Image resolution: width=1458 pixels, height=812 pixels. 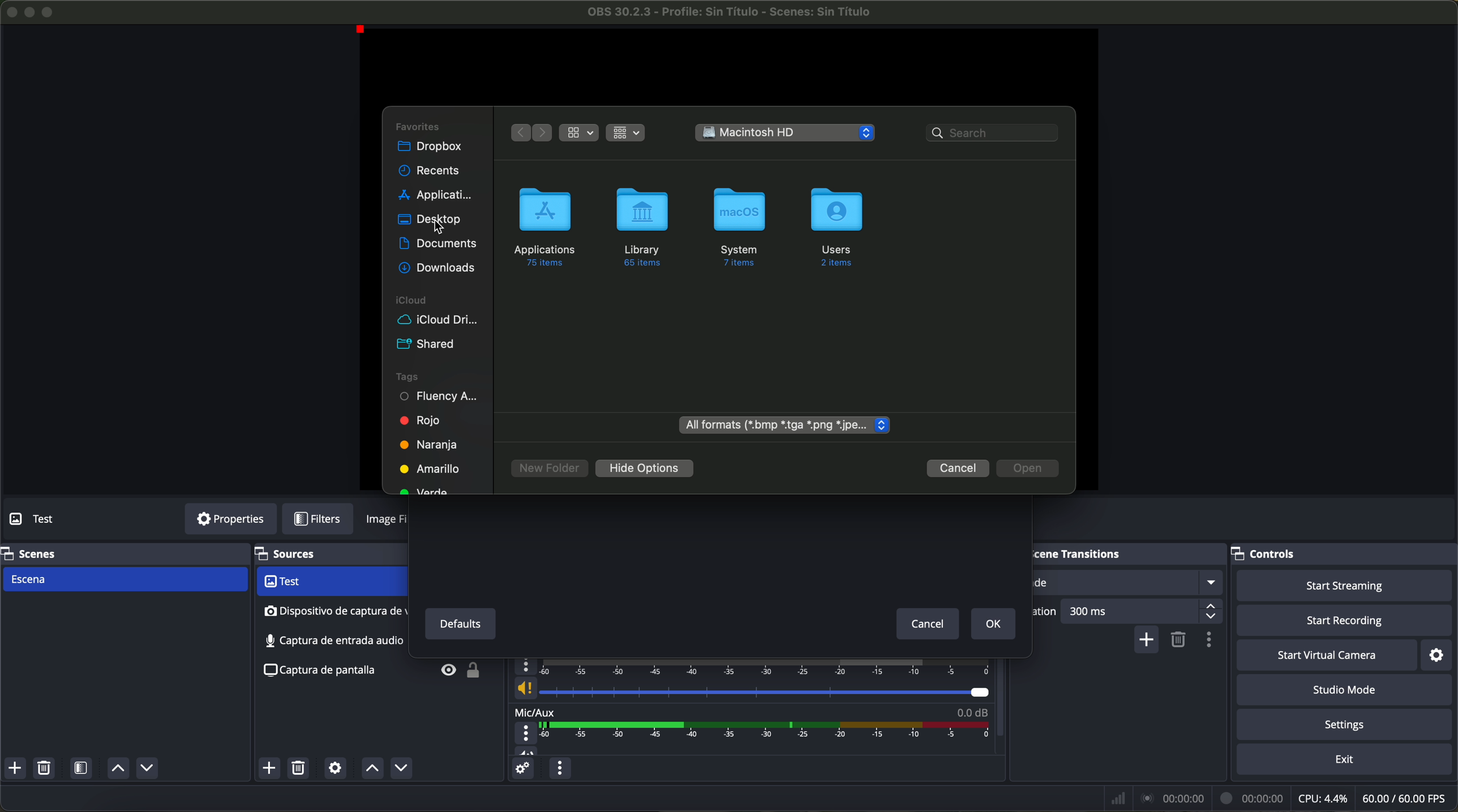 What do you see at coordinates (644, 229) in the screenshot?
I see `library folder` at bounding box center [644, 229].